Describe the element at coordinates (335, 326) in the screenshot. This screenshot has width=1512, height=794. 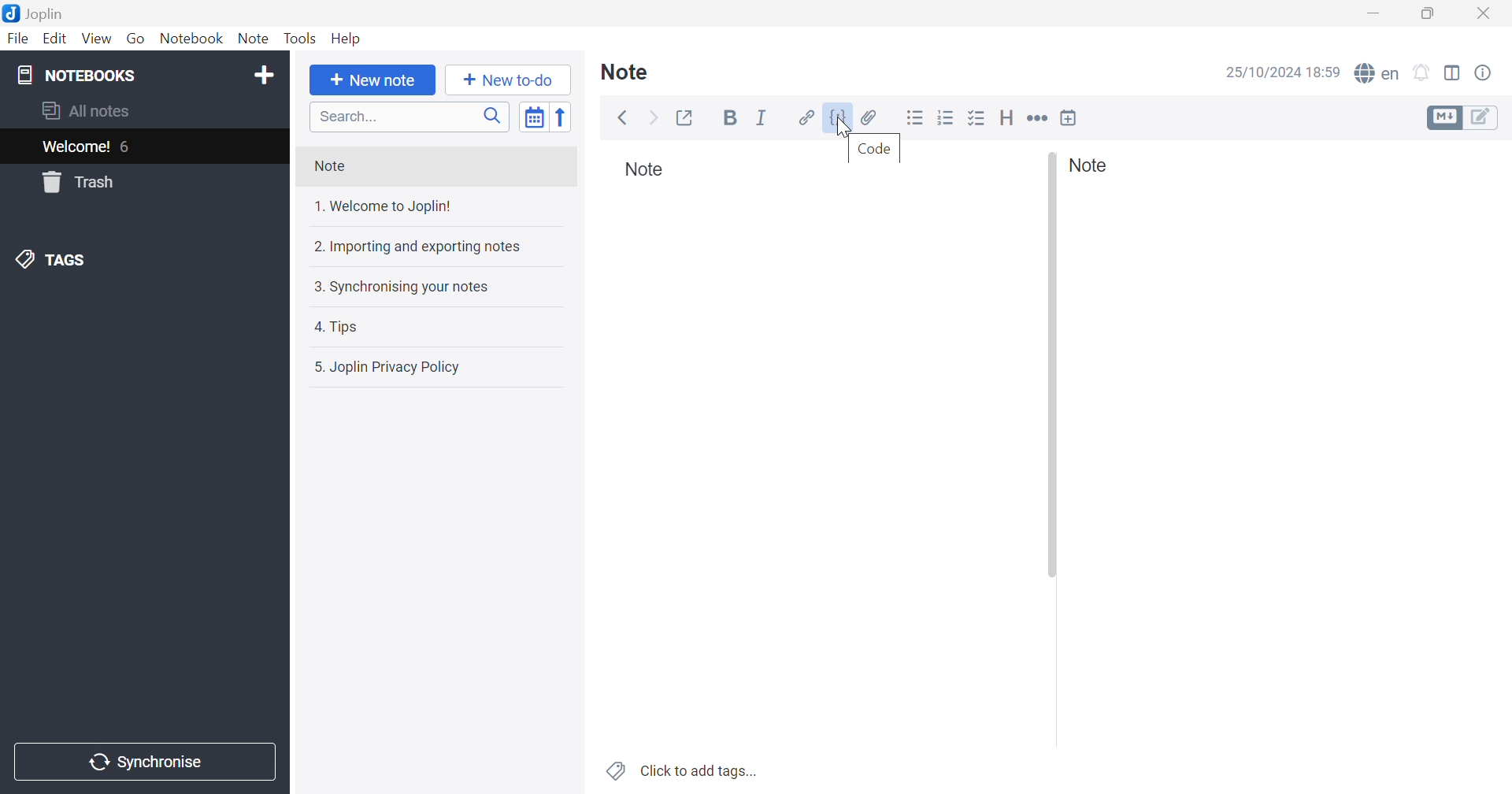
I see `4. Tips` at that location.